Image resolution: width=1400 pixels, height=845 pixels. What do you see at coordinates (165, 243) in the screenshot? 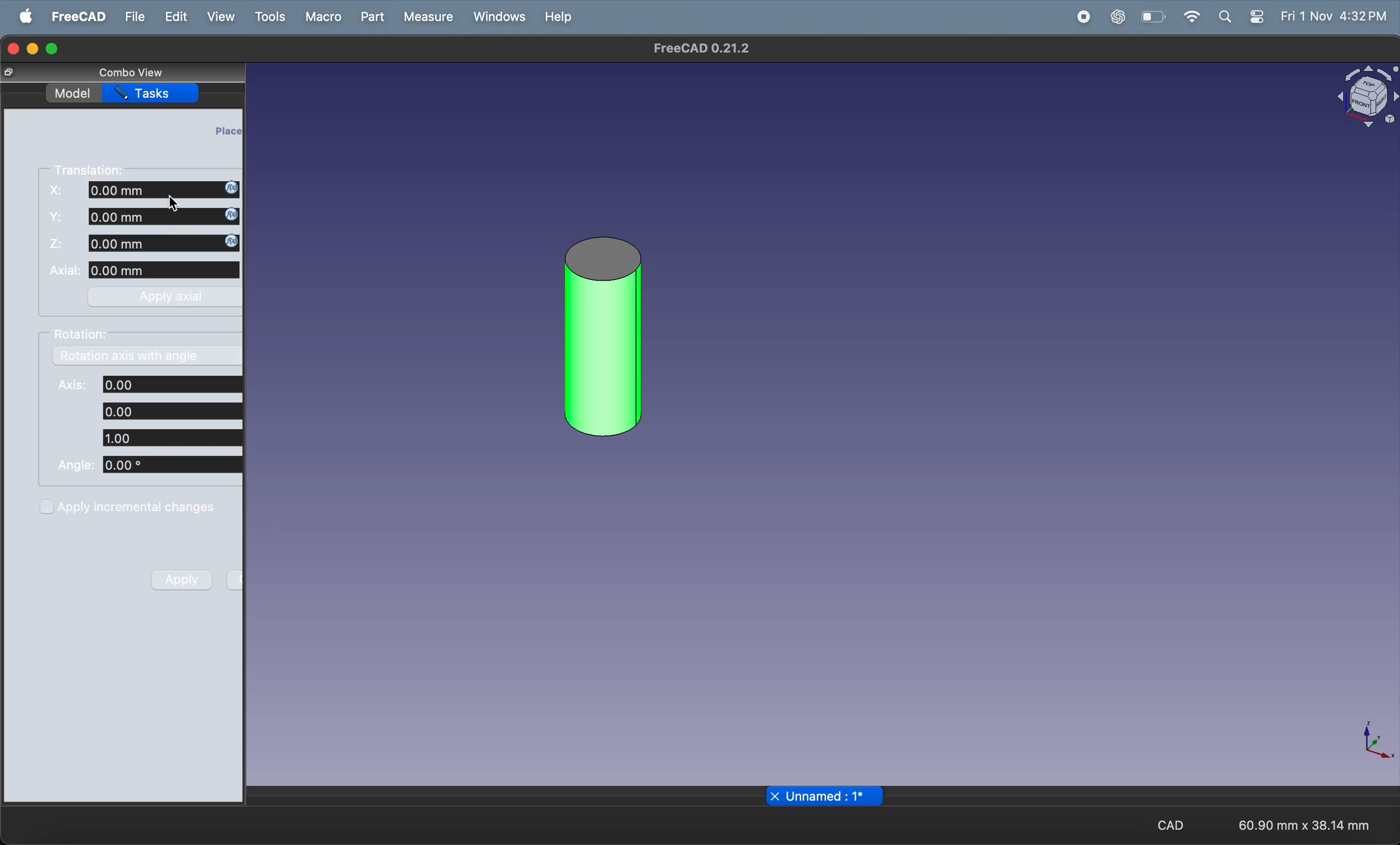
I see `z distance` at bounding box center [165, 243].